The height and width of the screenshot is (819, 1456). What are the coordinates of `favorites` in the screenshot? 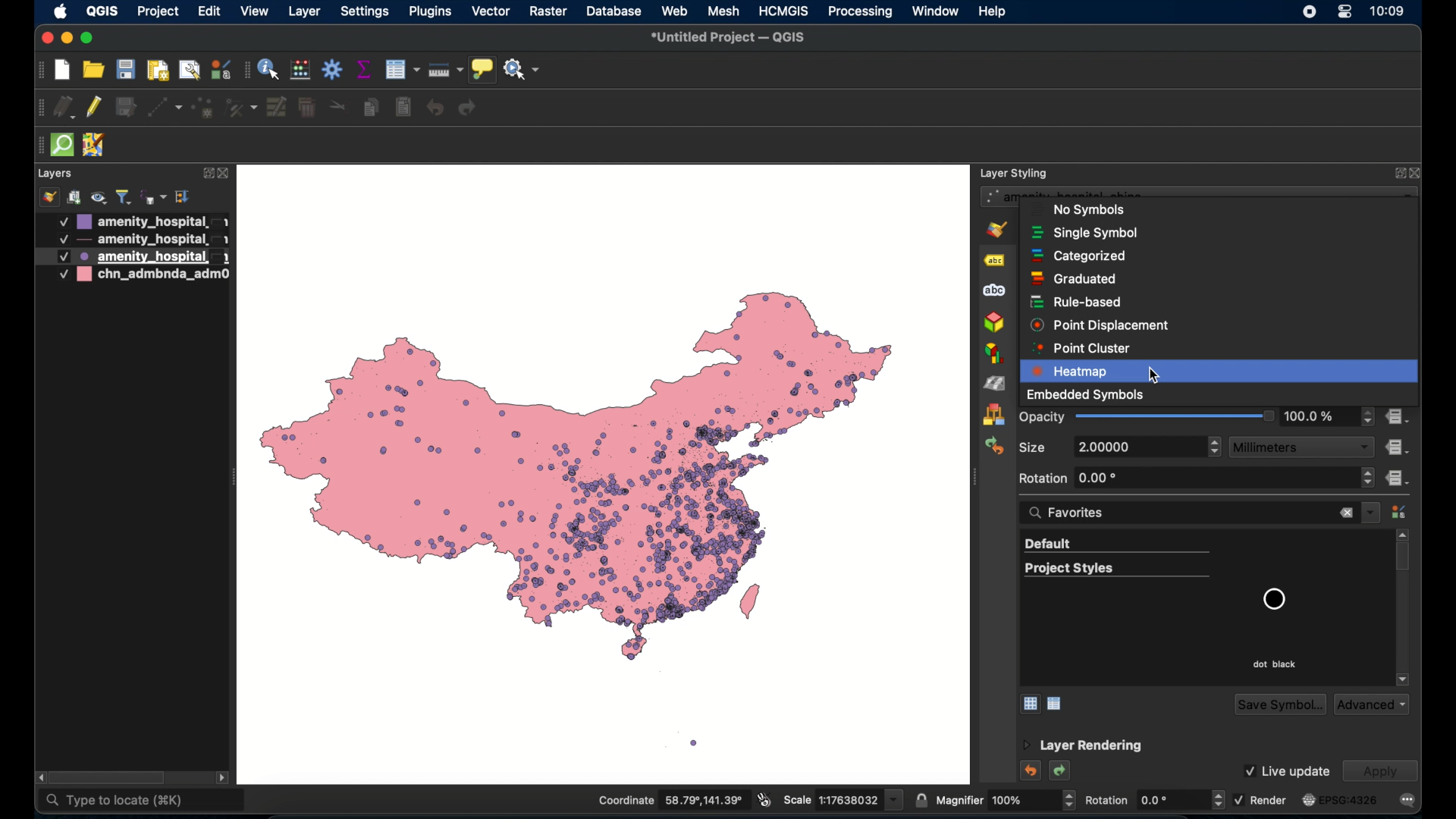 It's located at (1073, 513).